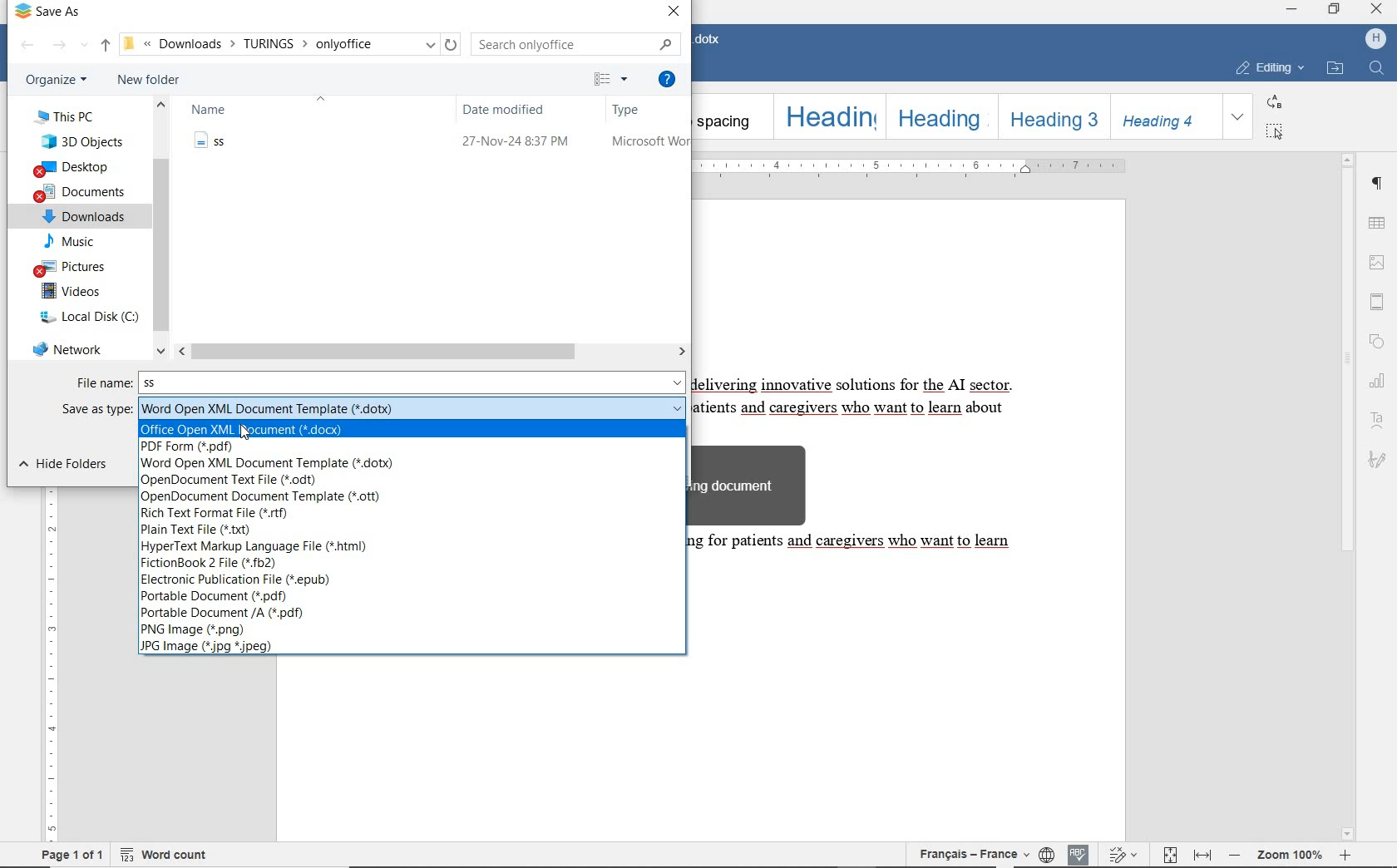  What do you see at coordinates (1378, 262) in the screenshot?
I see `IMAGE` at bounding box center [1378, 262].